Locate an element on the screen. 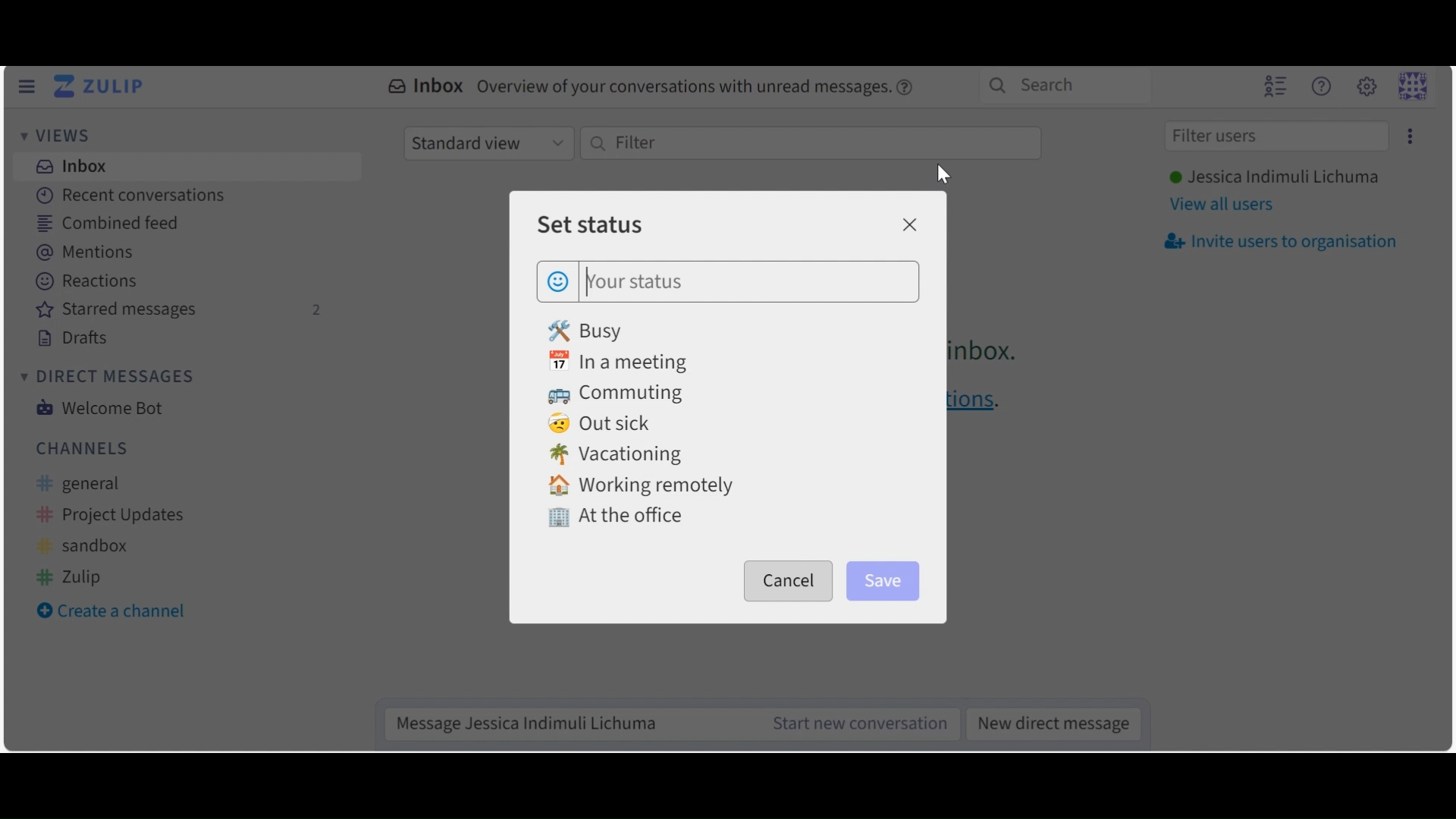 Image resolution: width=1456 pixels, height=819 pixels. Save is located at coordinates (885, 578).